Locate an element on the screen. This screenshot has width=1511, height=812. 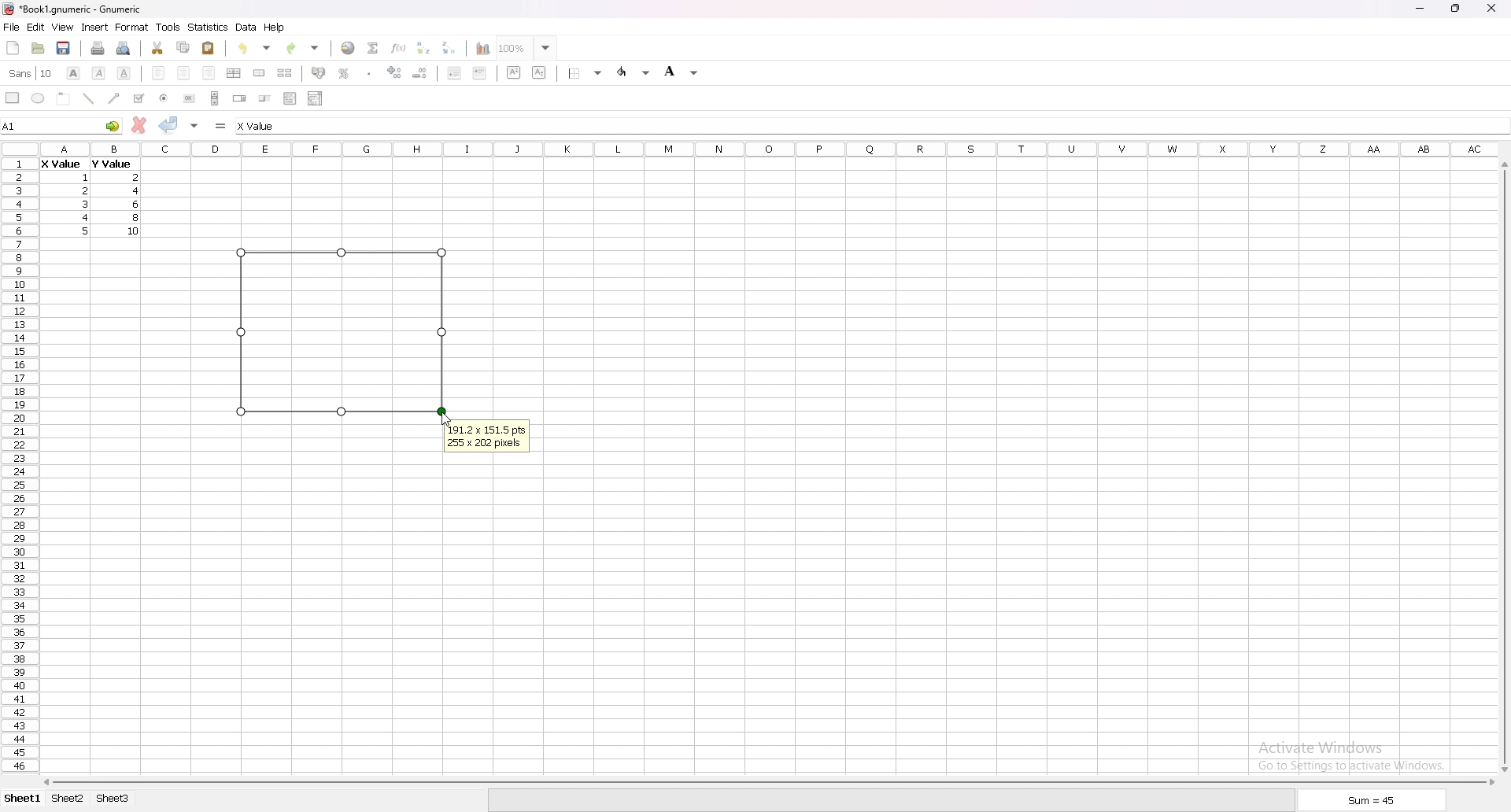
print is located at coordinates (98, 48).